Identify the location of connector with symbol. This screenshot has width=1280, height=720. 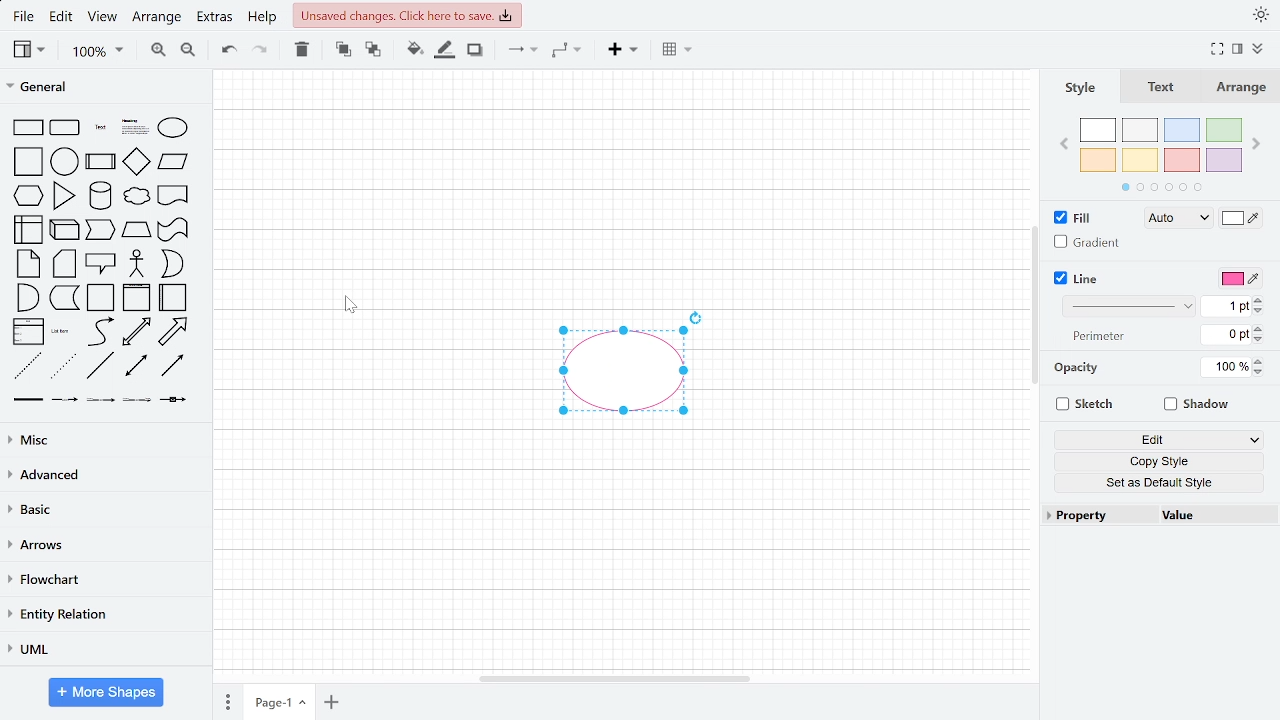
(173, 402).